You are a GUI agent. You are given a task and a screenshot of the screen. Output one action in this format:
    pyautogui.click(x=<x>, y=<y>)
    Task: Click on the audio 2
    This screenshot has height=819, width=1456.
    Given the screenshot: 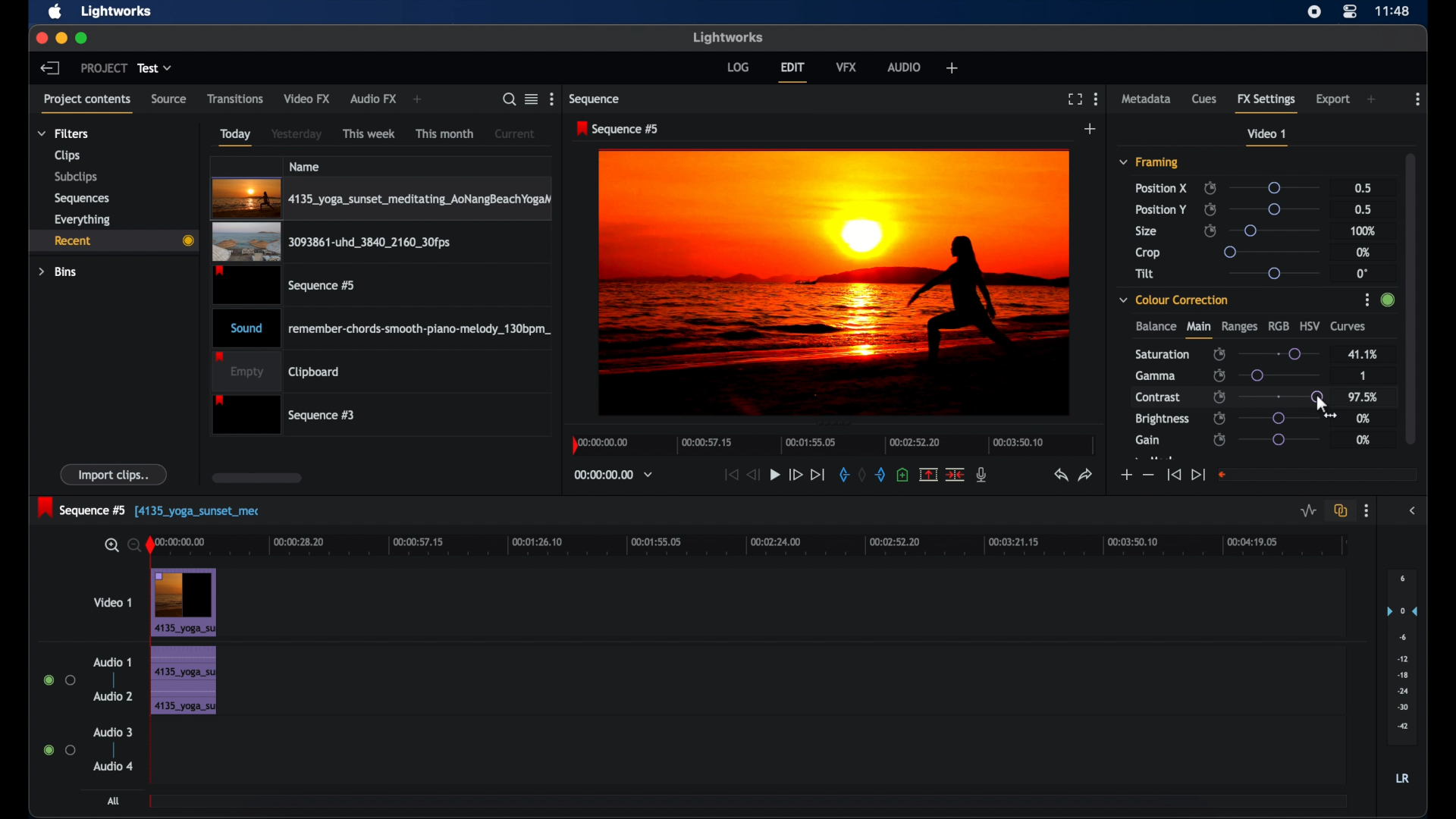 What is the action you would take?
    pyautogui.click(x=112, y=696)
    